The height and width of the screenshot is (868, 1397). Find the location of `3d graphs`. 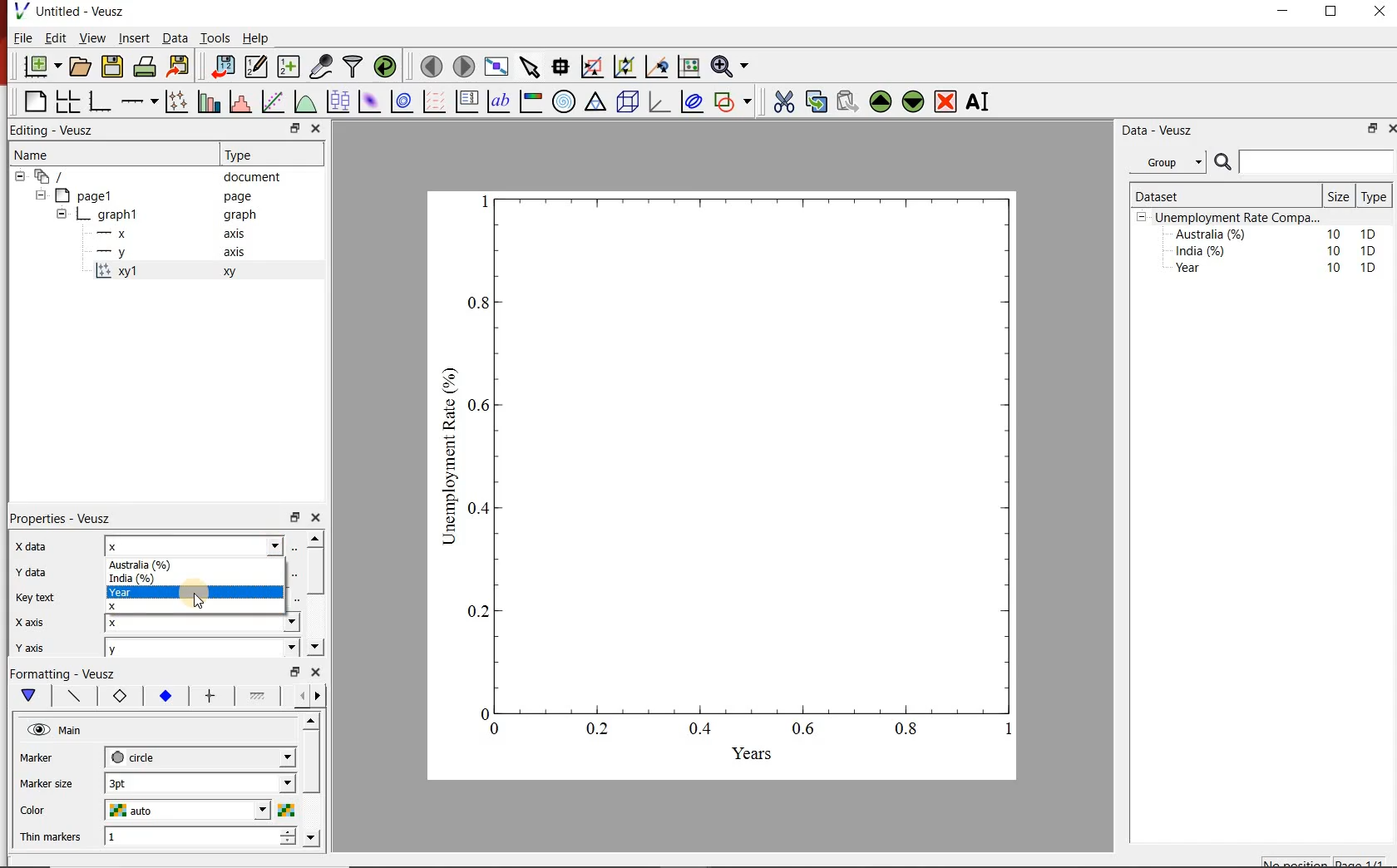

3d graphs is located at coordinates (659, 101).